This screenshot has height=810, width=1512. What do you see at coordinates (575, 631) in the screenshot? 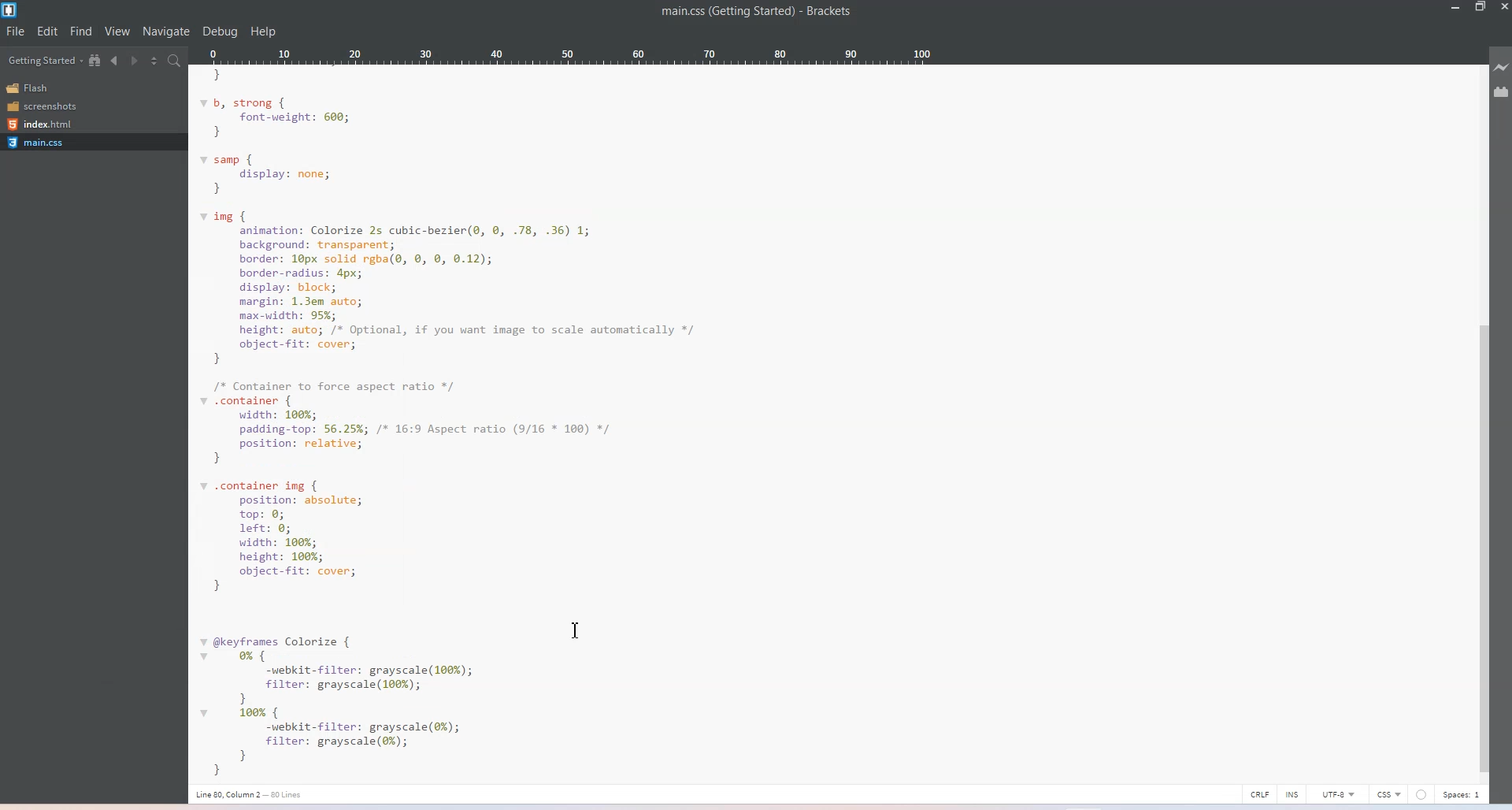
I see `Text Cursor` at bounding box center [575, 631].